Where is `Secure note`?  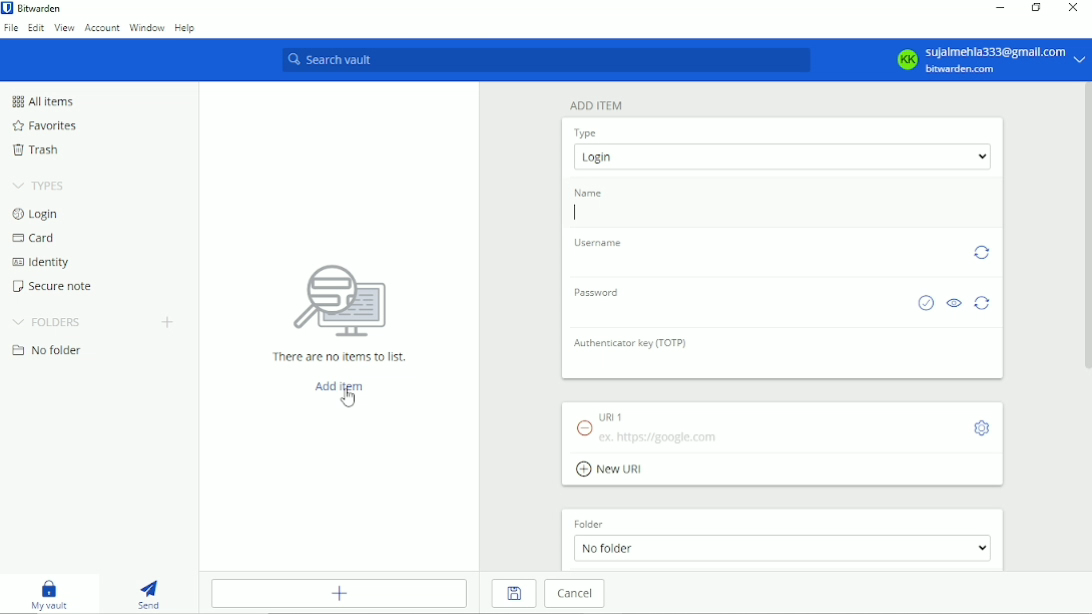
Secure note is located at coordinates (53, 286).